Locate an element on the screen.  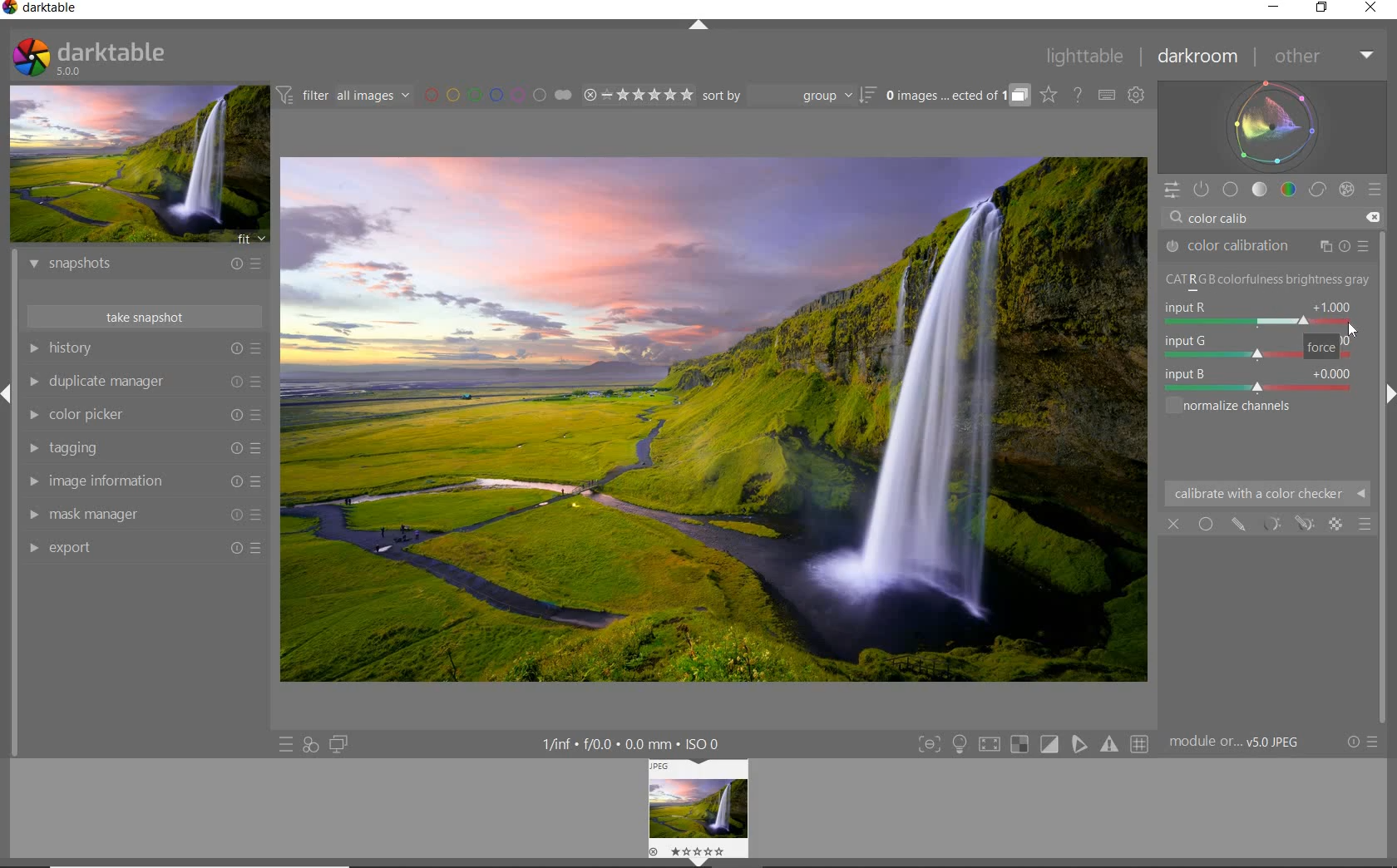
sort by is located at coordinates (789, 95).